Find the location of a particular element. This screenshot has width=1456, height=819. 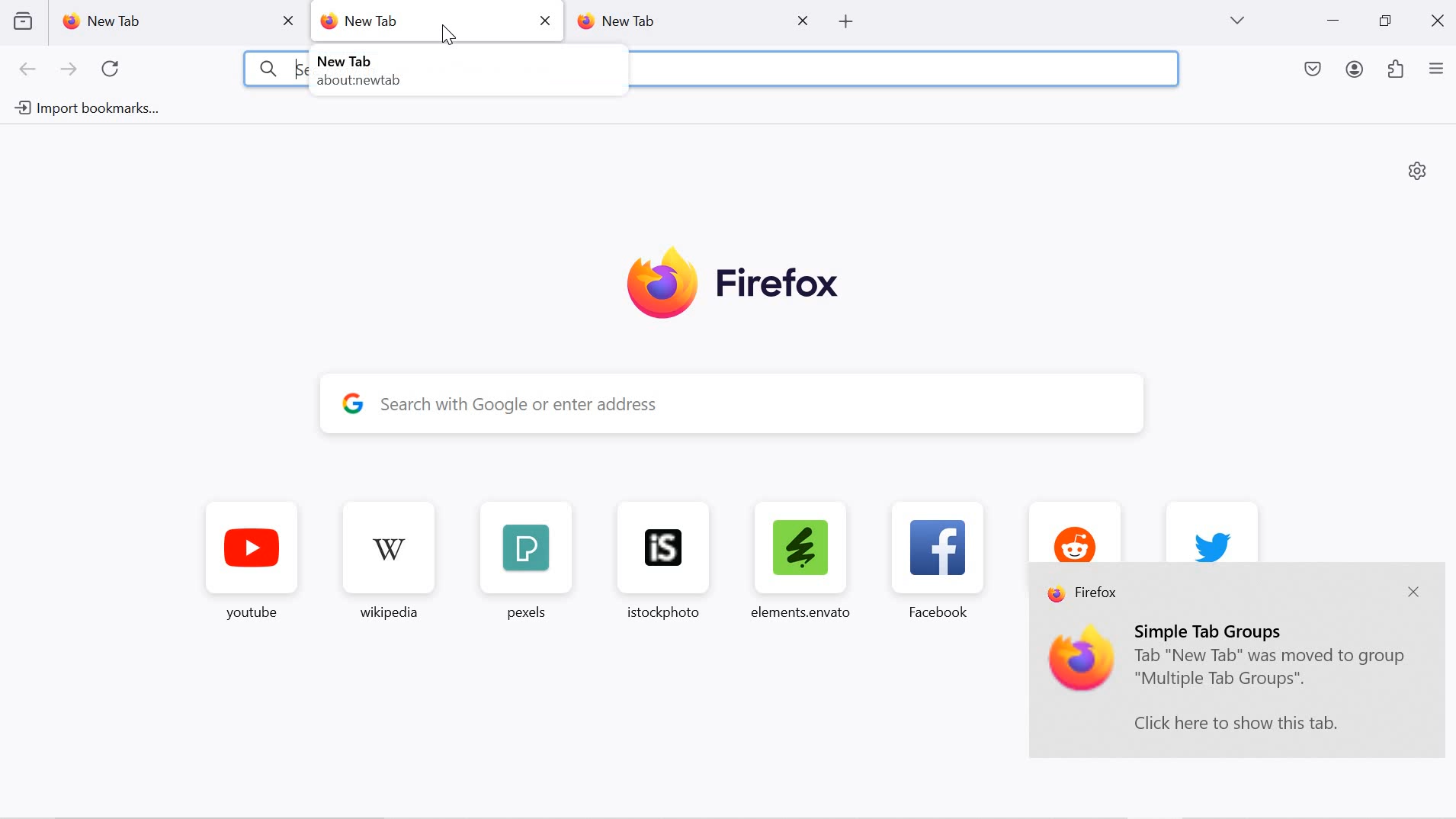

y Search with Google or enter address is located at coordinates (746, 404).